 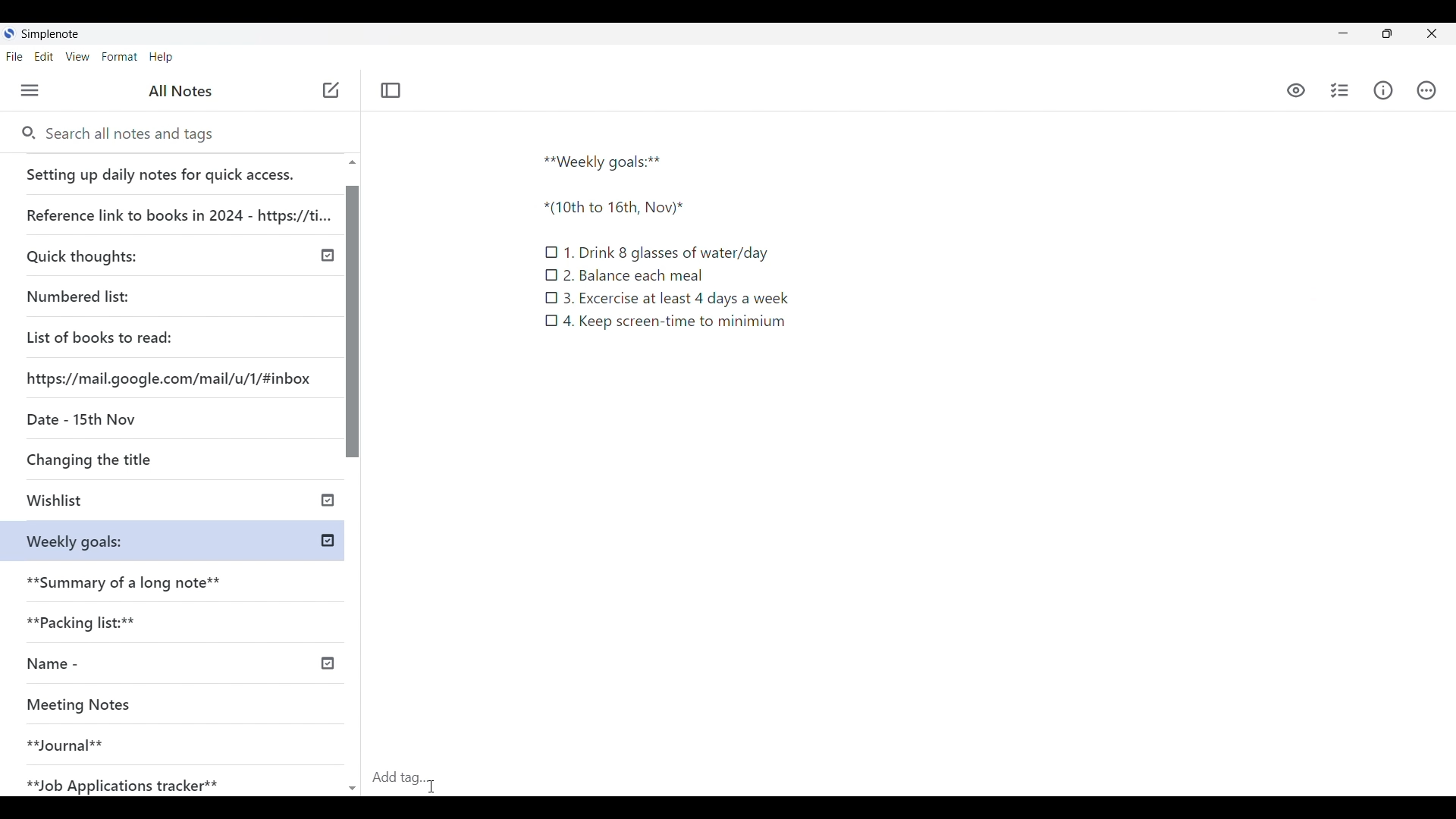 I want to click on Date, so click(x=78, y=418).